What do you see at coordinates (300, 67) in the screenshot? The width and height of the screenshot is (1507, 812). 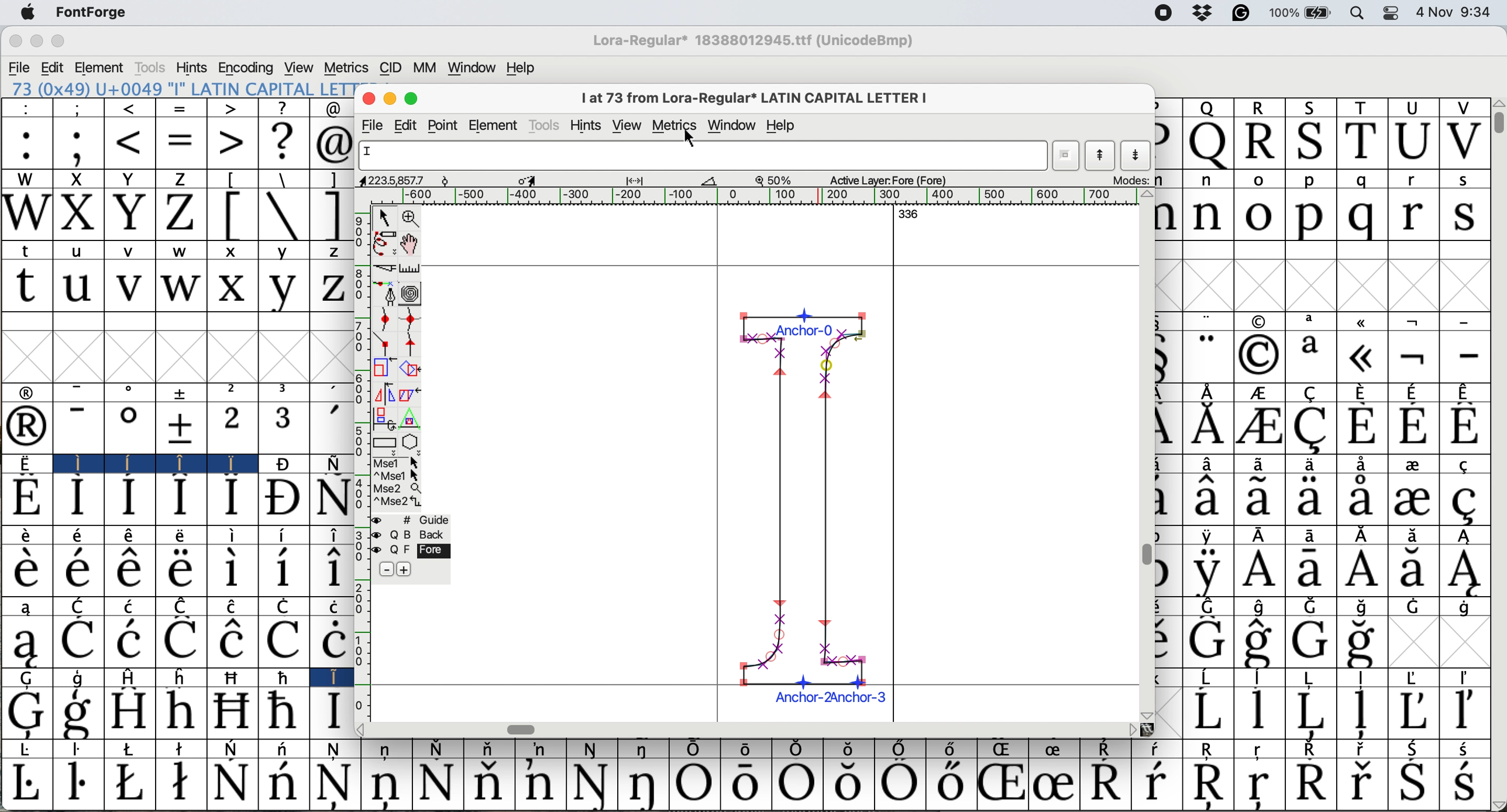 I see `view` at bounding box center [300, 67].